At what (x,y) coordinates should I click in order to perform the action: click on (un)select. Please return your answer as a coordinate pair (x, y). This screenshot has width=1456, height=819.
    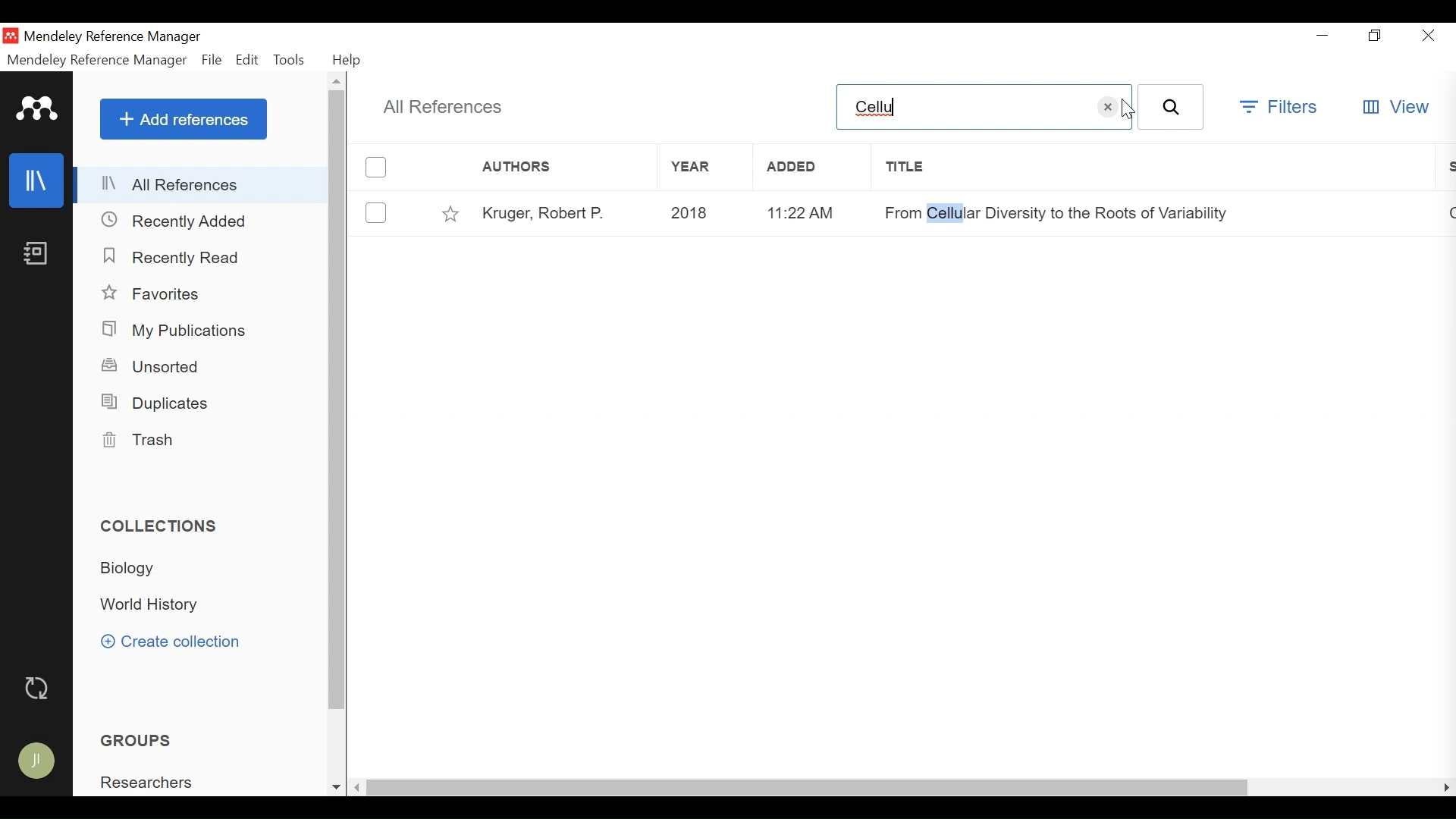
    Looking at the image, I should click on (377, 212).